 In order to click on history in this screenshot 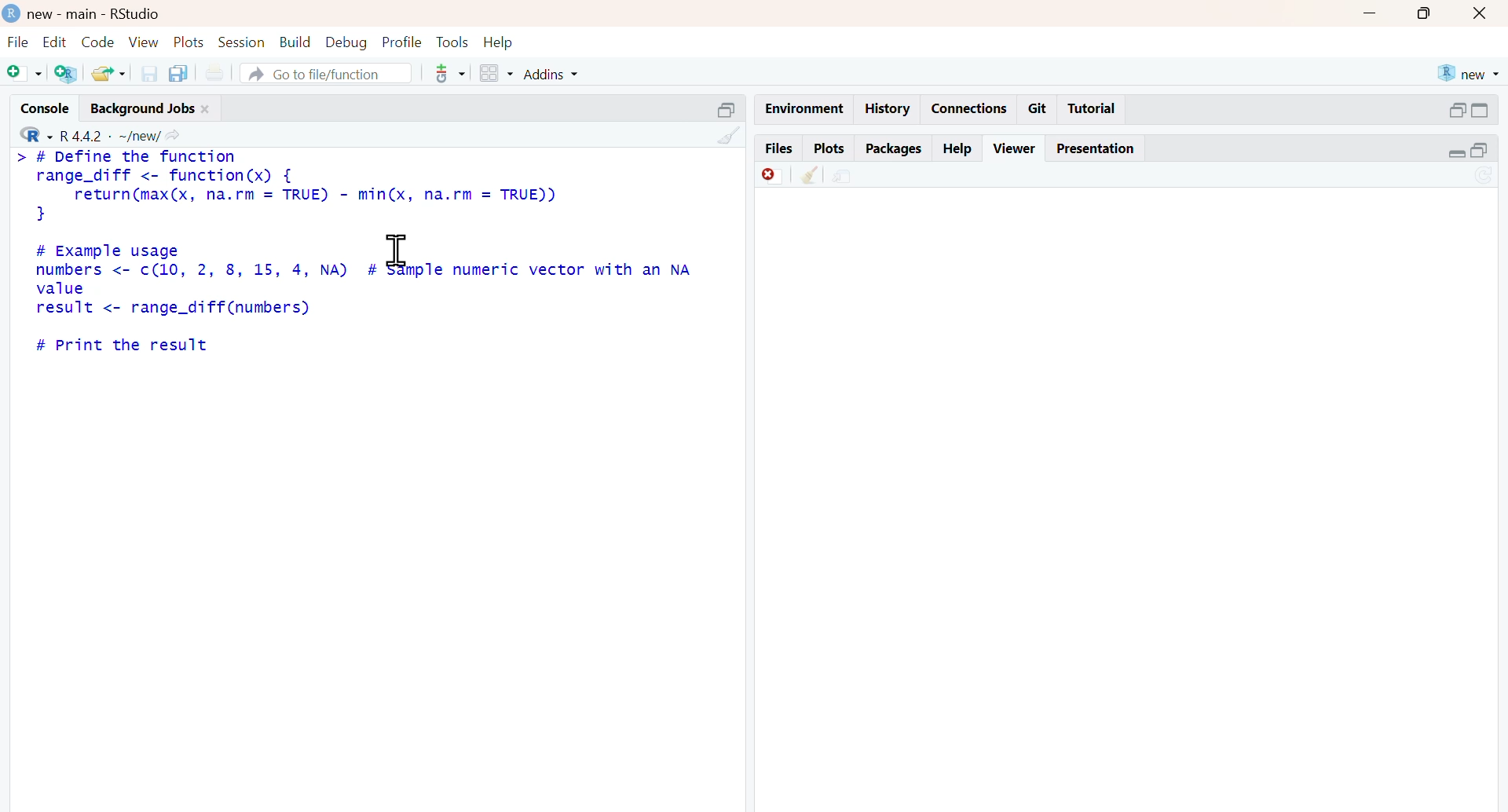, I will do `click(888, 108)`.